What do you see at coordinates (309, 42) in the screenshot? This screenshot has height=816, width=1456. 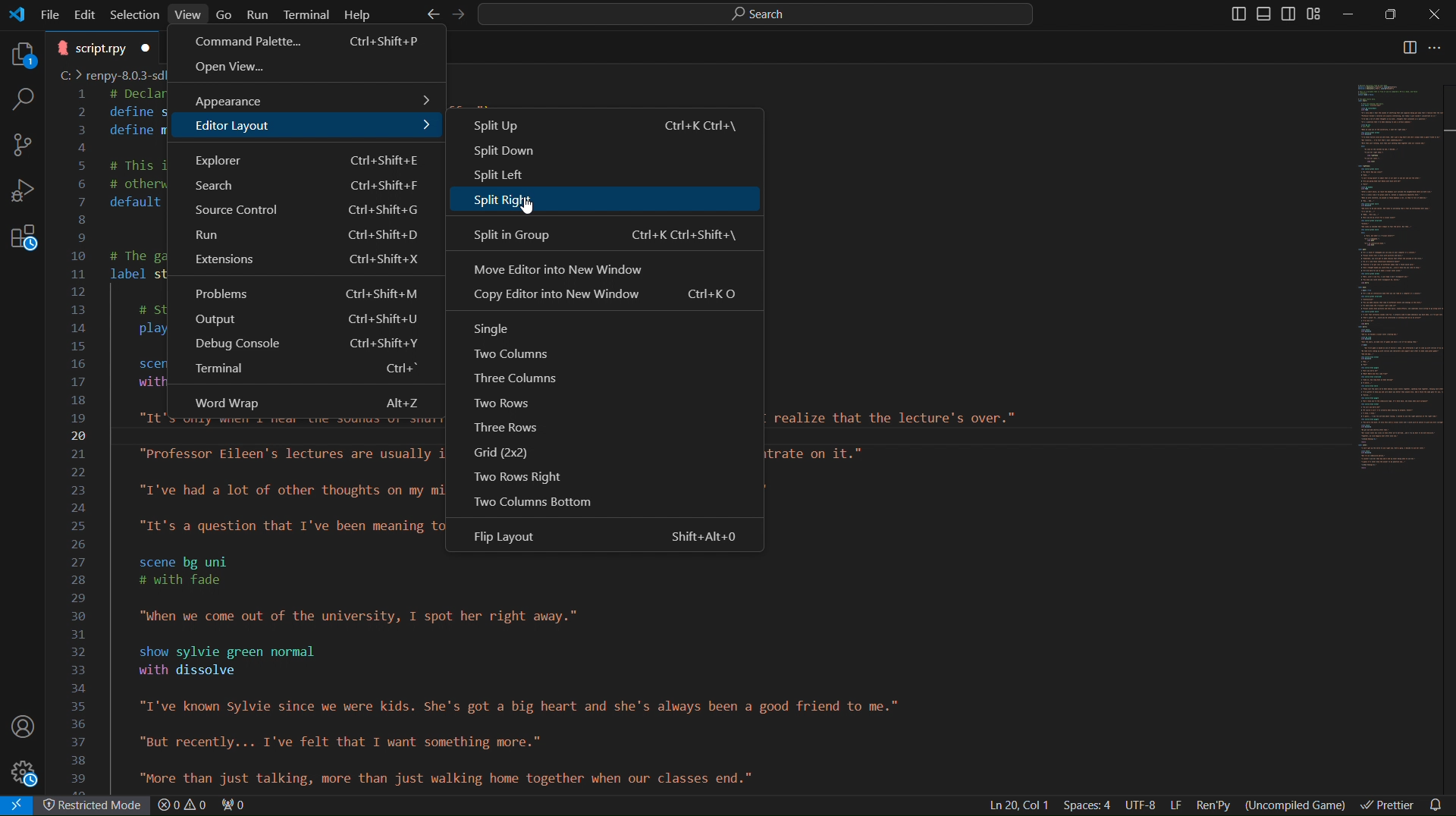 I see `Command Palette...   ctrl+shift+p` at bounding box center [309, 42].